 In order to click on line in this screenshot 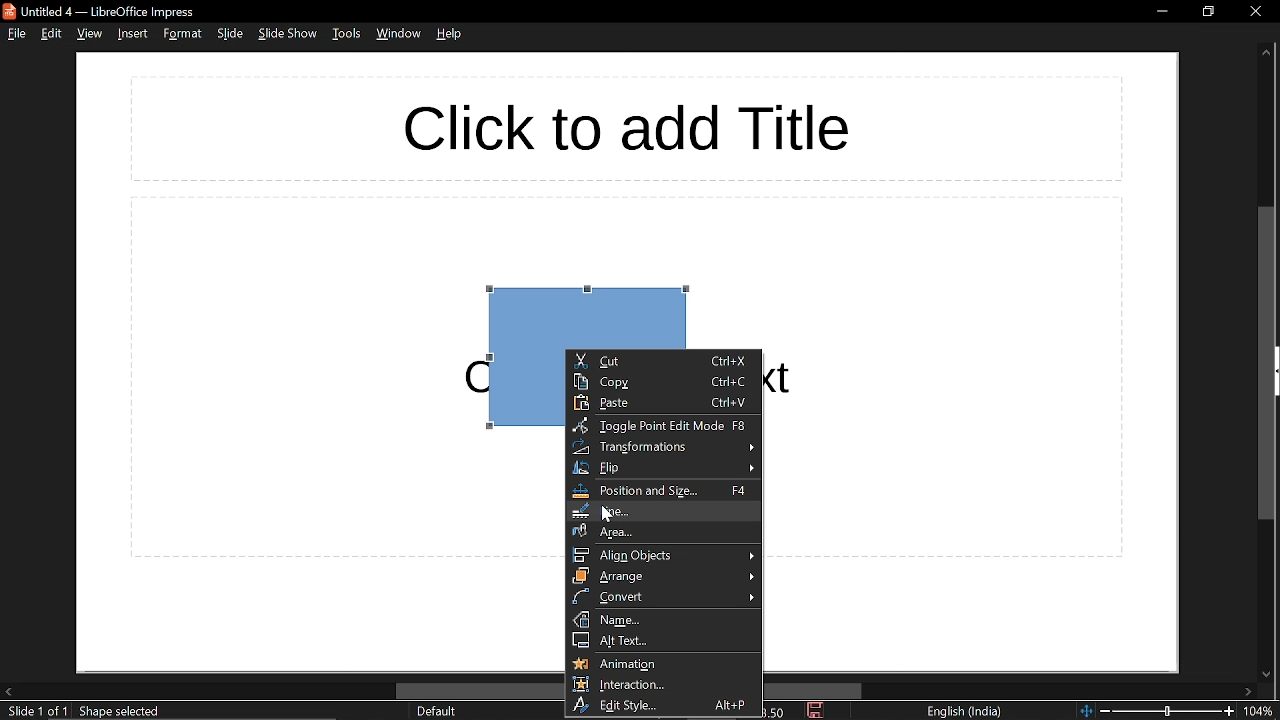, I will do `click(666, 512)`.